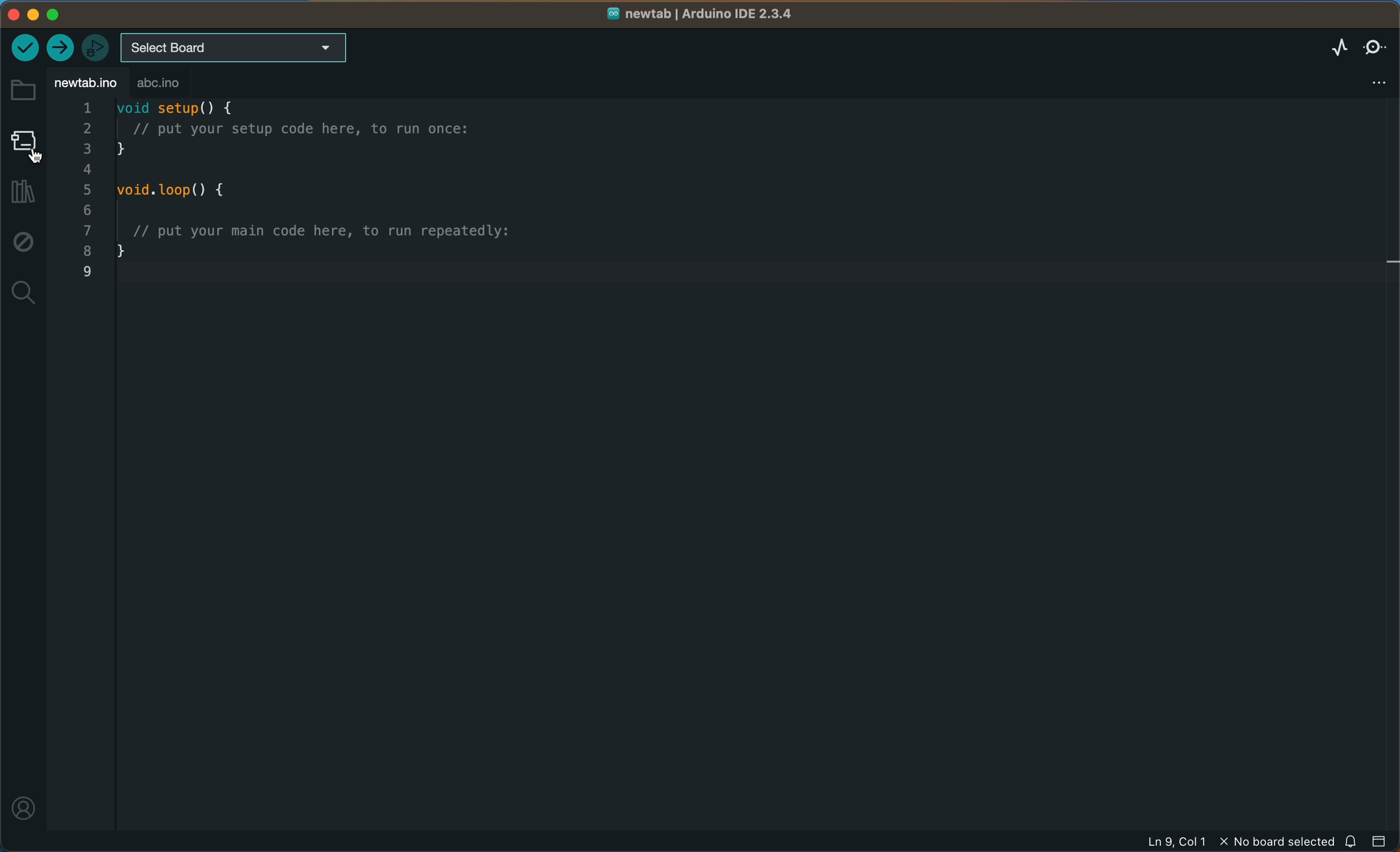  I want to click on abc .ino, so click(178, 84).